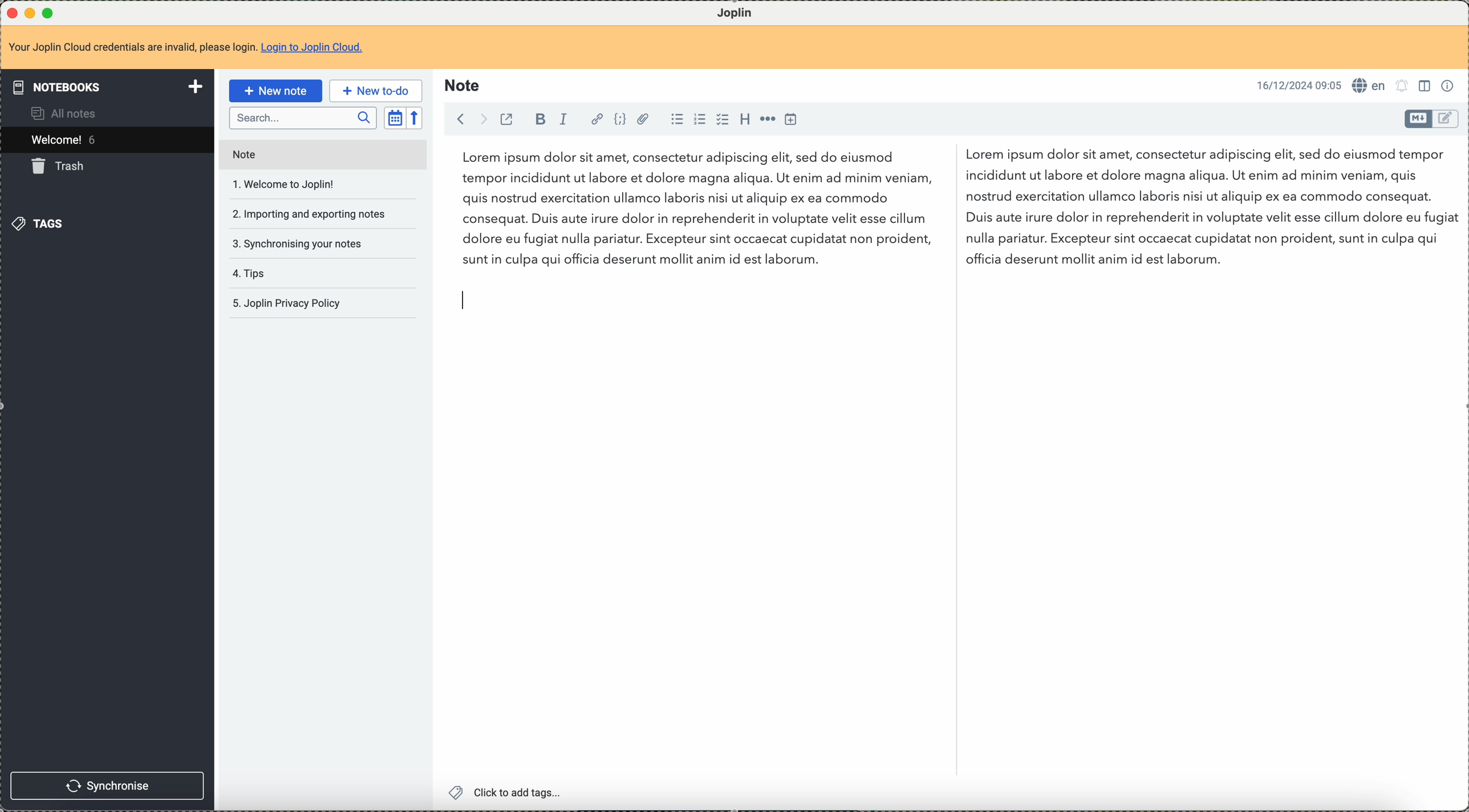 The width and height of the screenshot is (1469, 812). I want to click on click to add tags, so click(505, 793).